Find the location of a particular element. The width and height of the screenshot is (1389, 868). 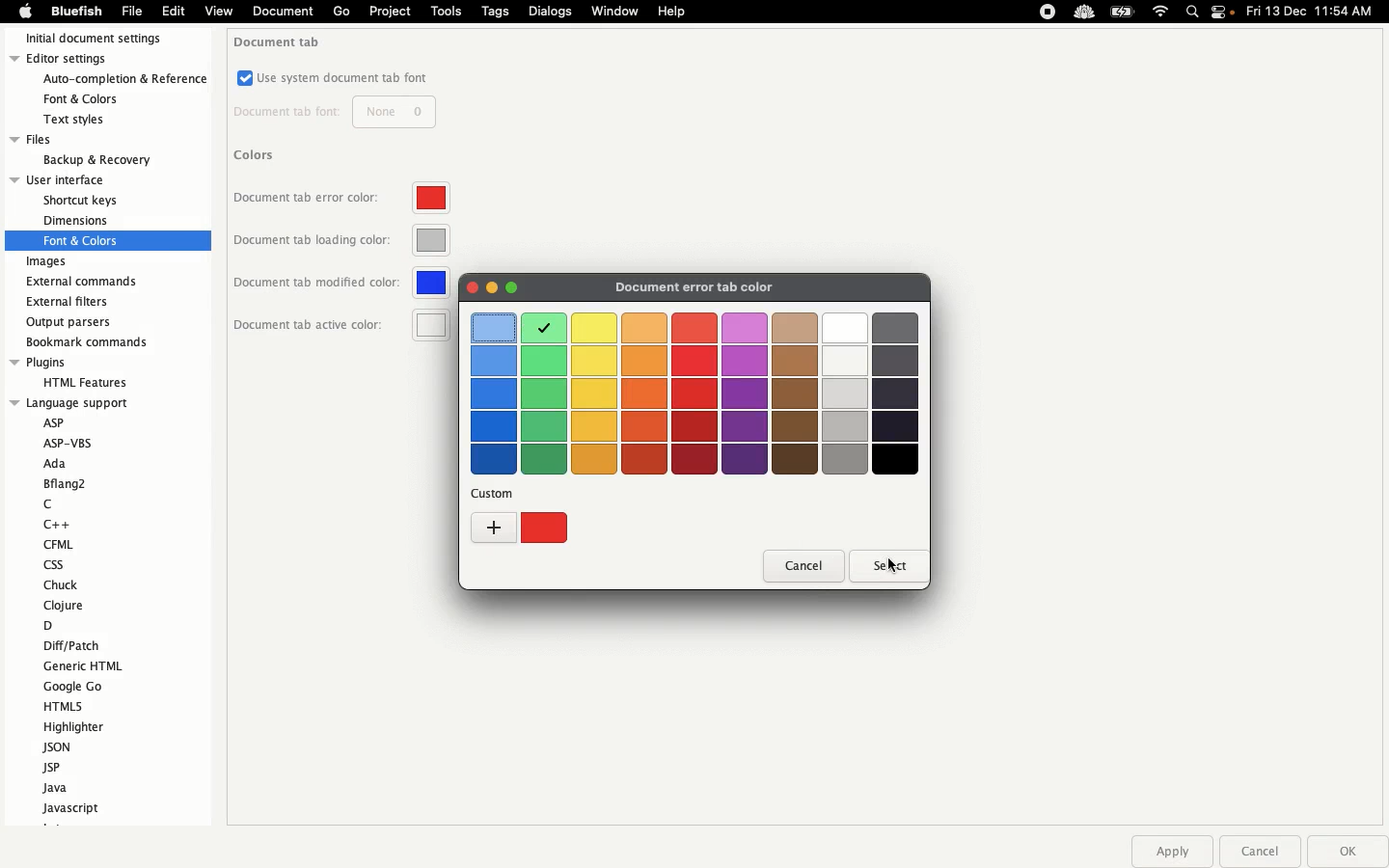

Images is located at coordinates (48, 262).